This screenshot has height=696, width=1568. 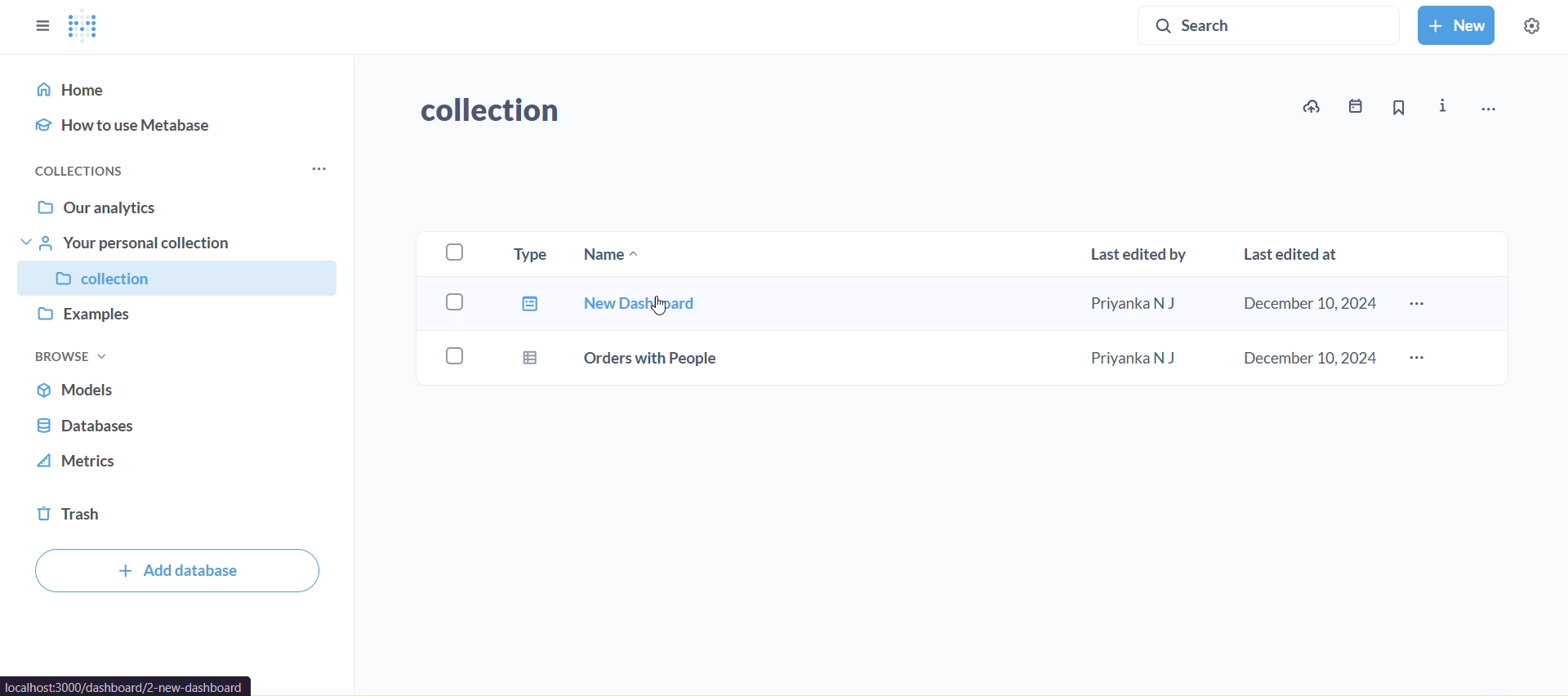 I want to click on last edited at , so click(x=1295, y=255).